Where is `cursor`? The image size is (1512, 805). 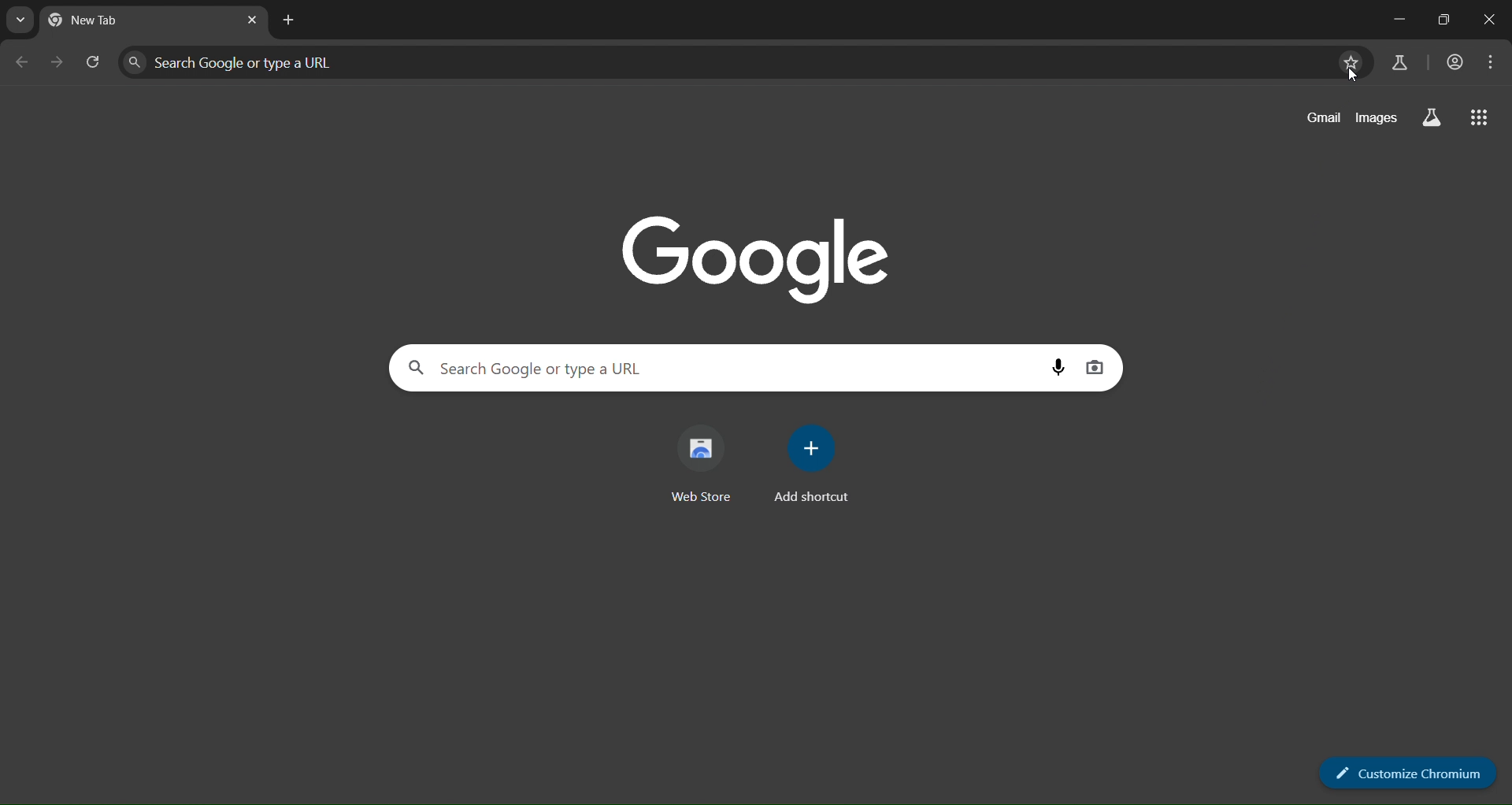
cursor is located at coordinates (1351, 77).